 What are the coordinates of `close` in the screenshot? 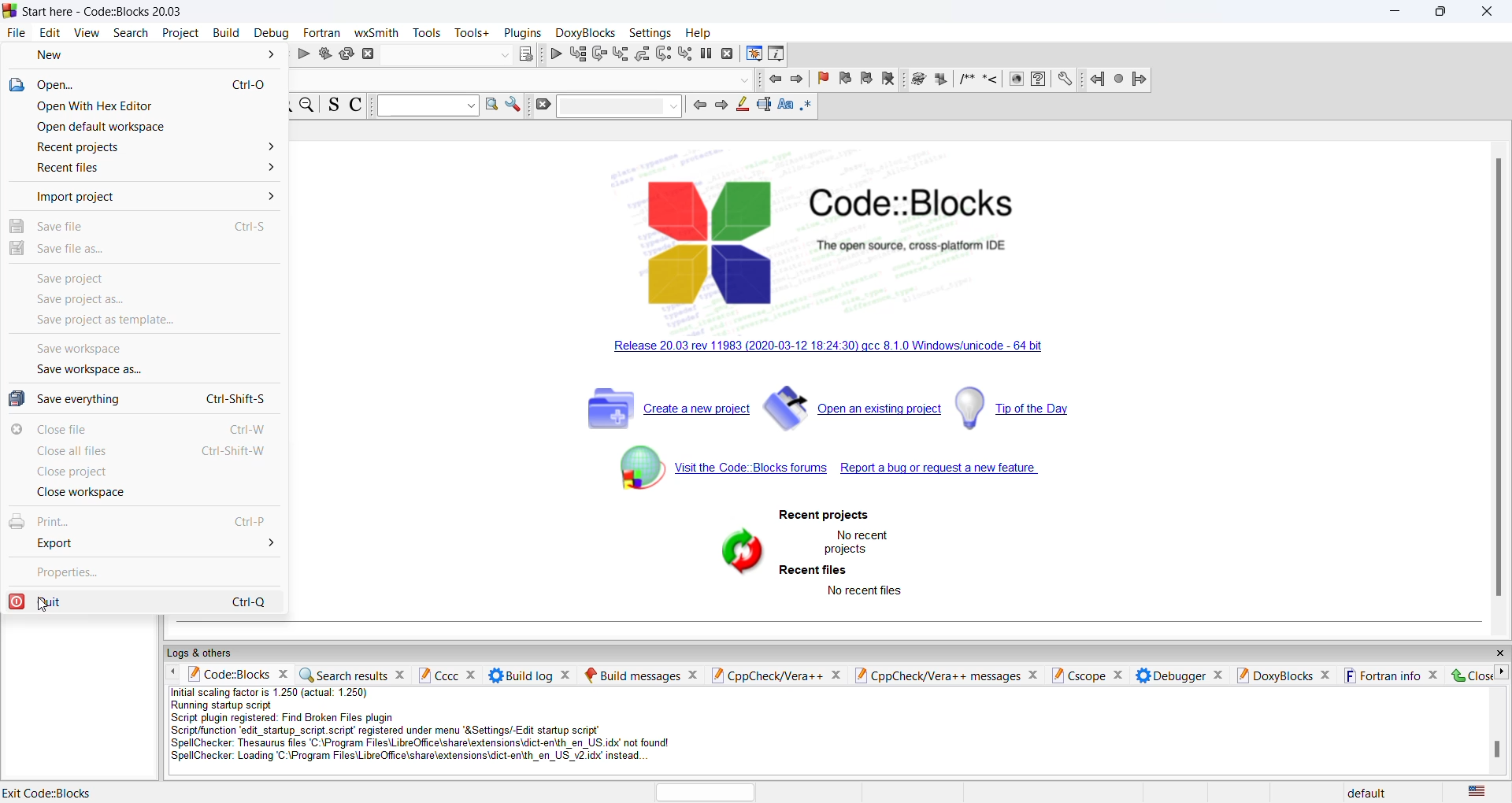 It's located at (565, 675).